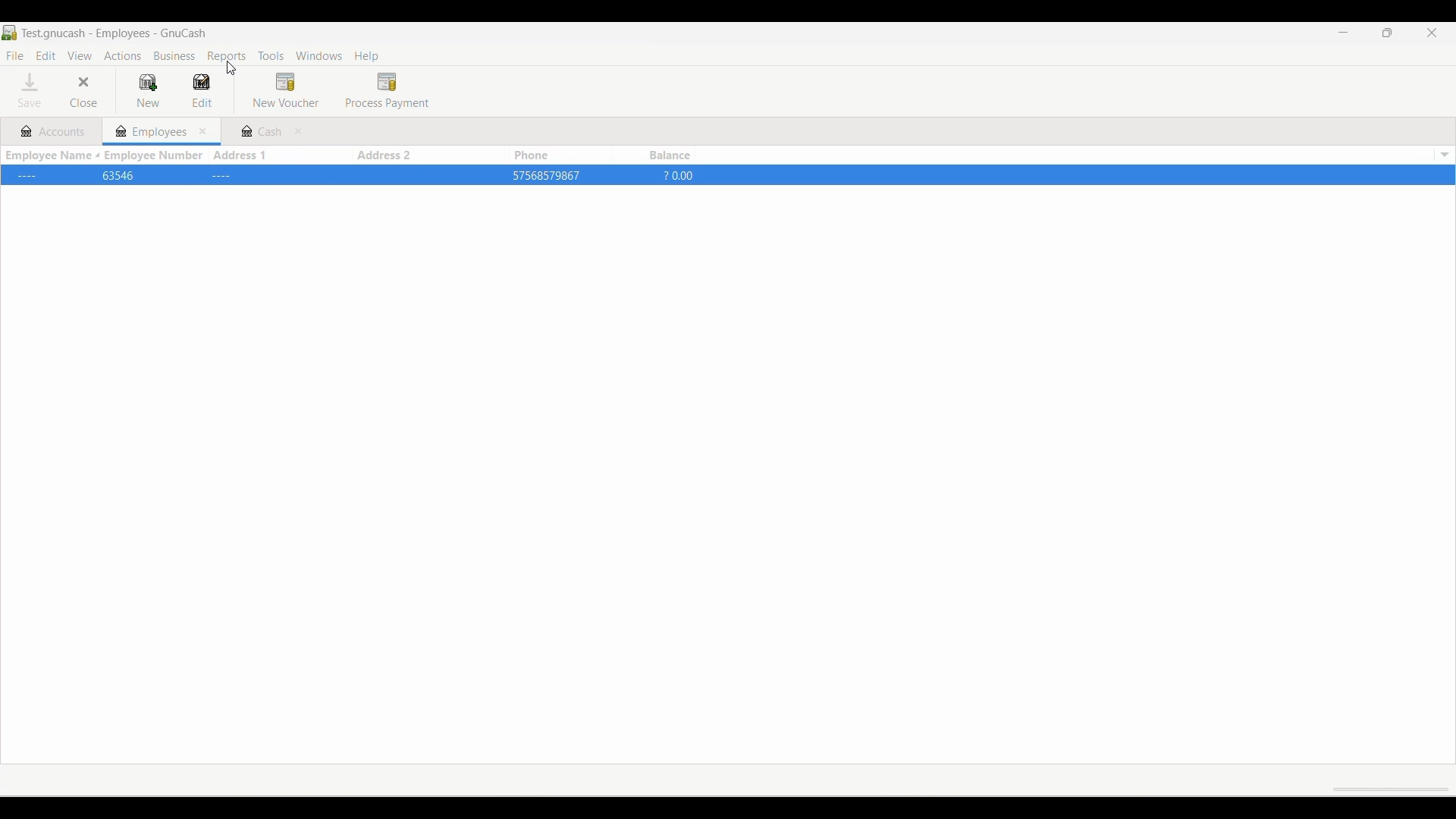  Describe the element at coordinates (271, 56) in the screenshot. I see `Tools` at that location.